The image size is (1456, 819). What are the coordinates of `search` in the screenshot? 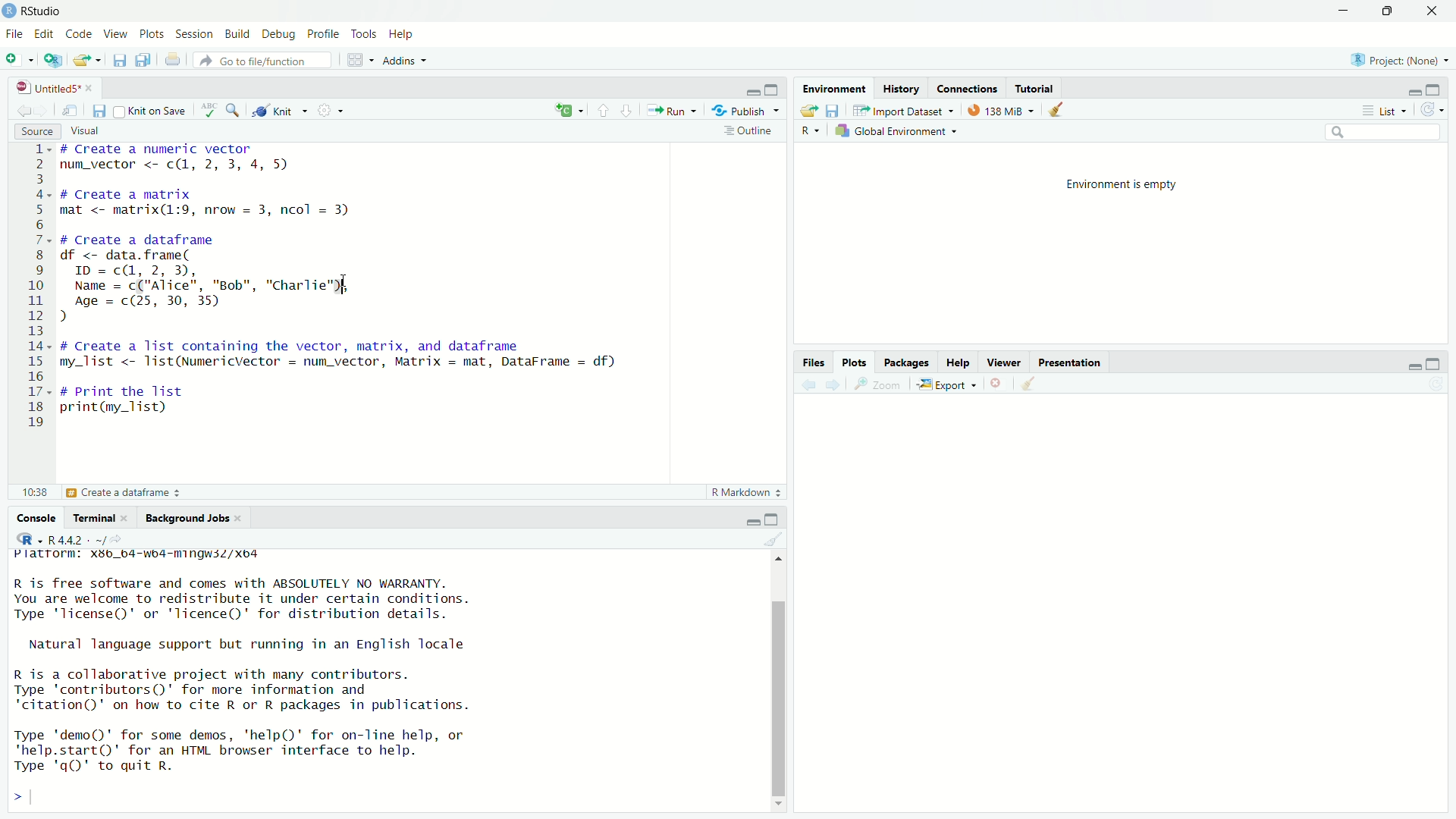 It's located at (235, 111).